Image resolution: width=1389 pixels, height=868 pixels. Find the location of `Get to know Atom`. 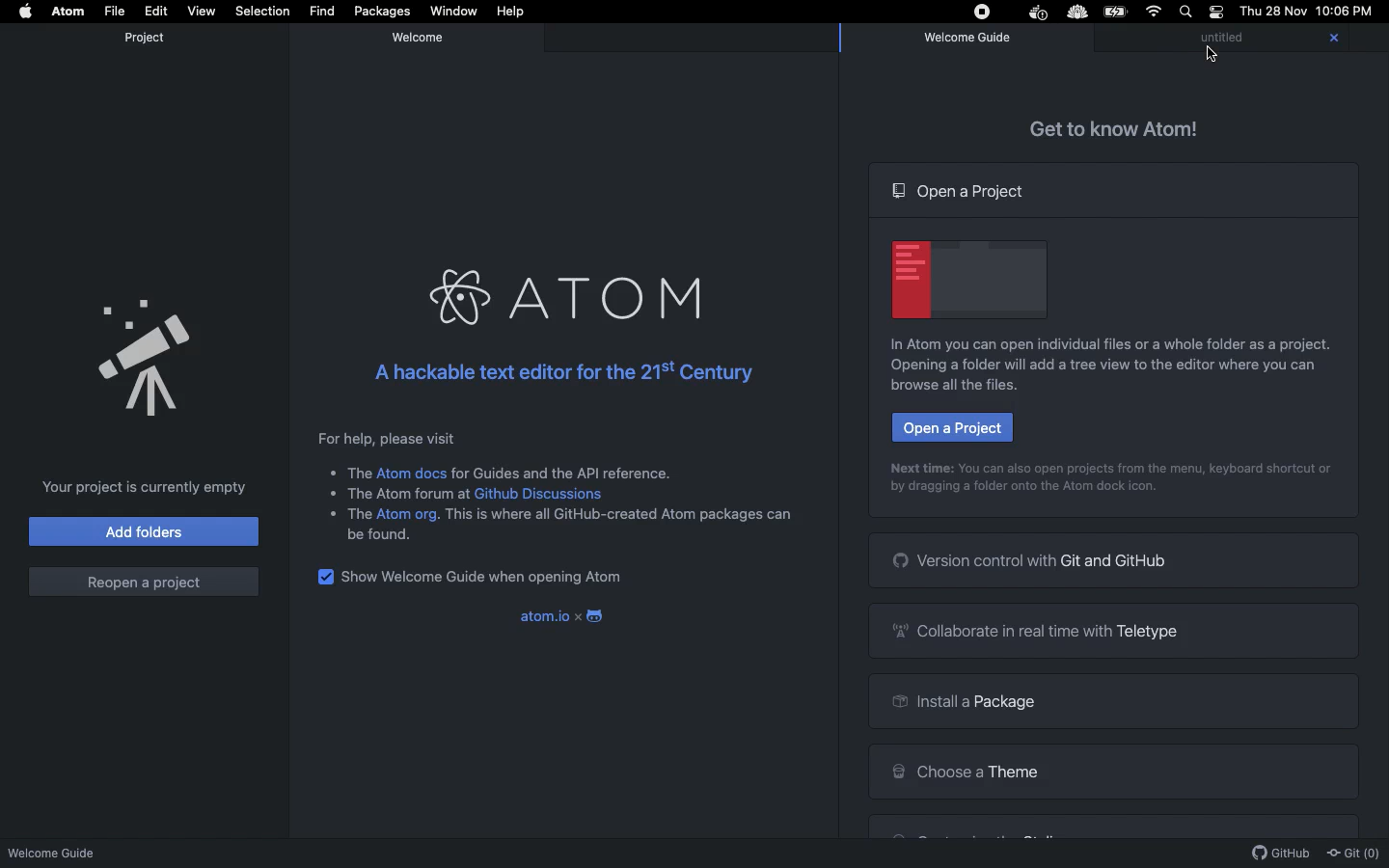

Get to know Atom is located at coordinates (1127, 128).